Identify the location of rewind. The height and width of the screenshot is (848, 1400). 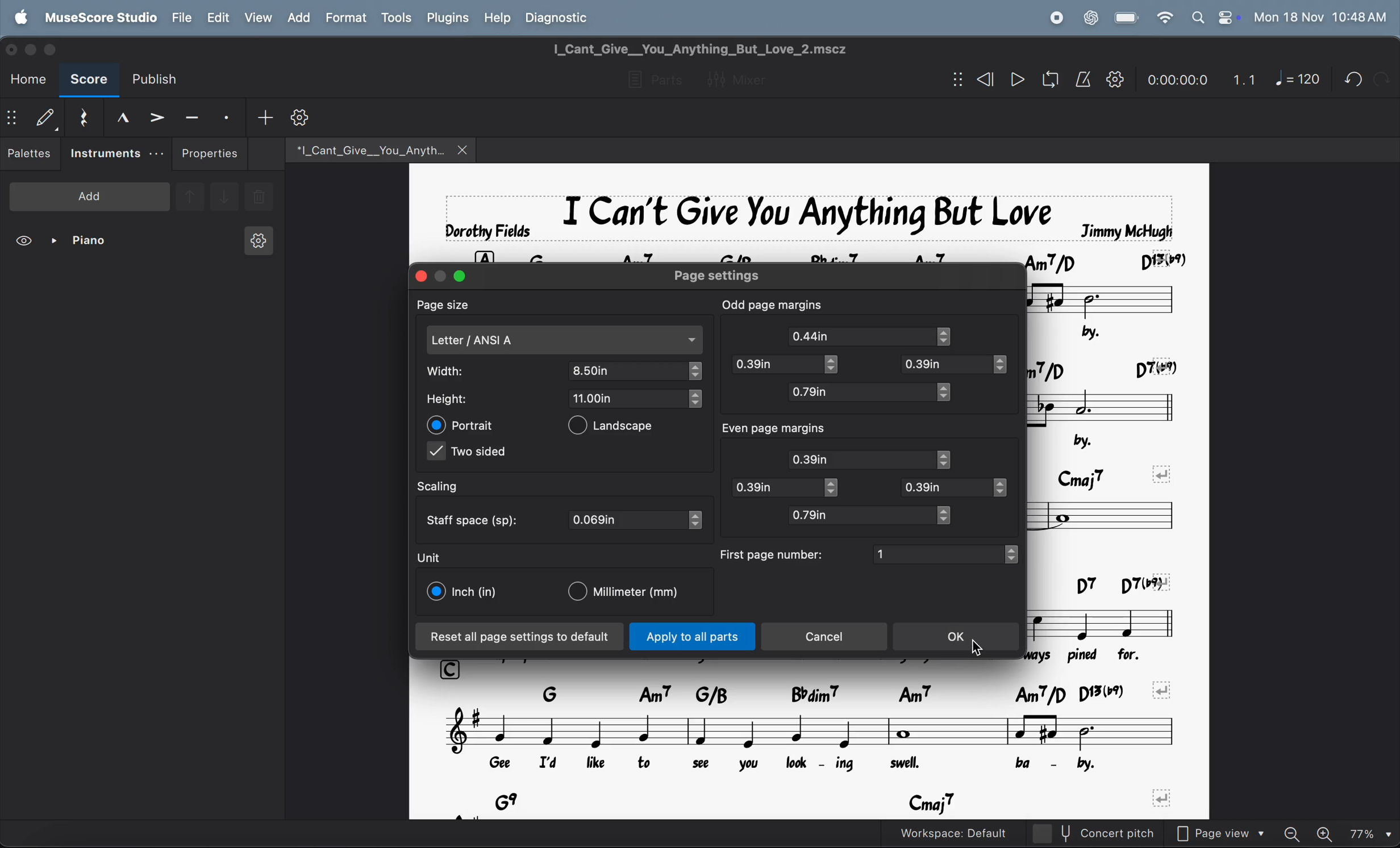
(983, 80).